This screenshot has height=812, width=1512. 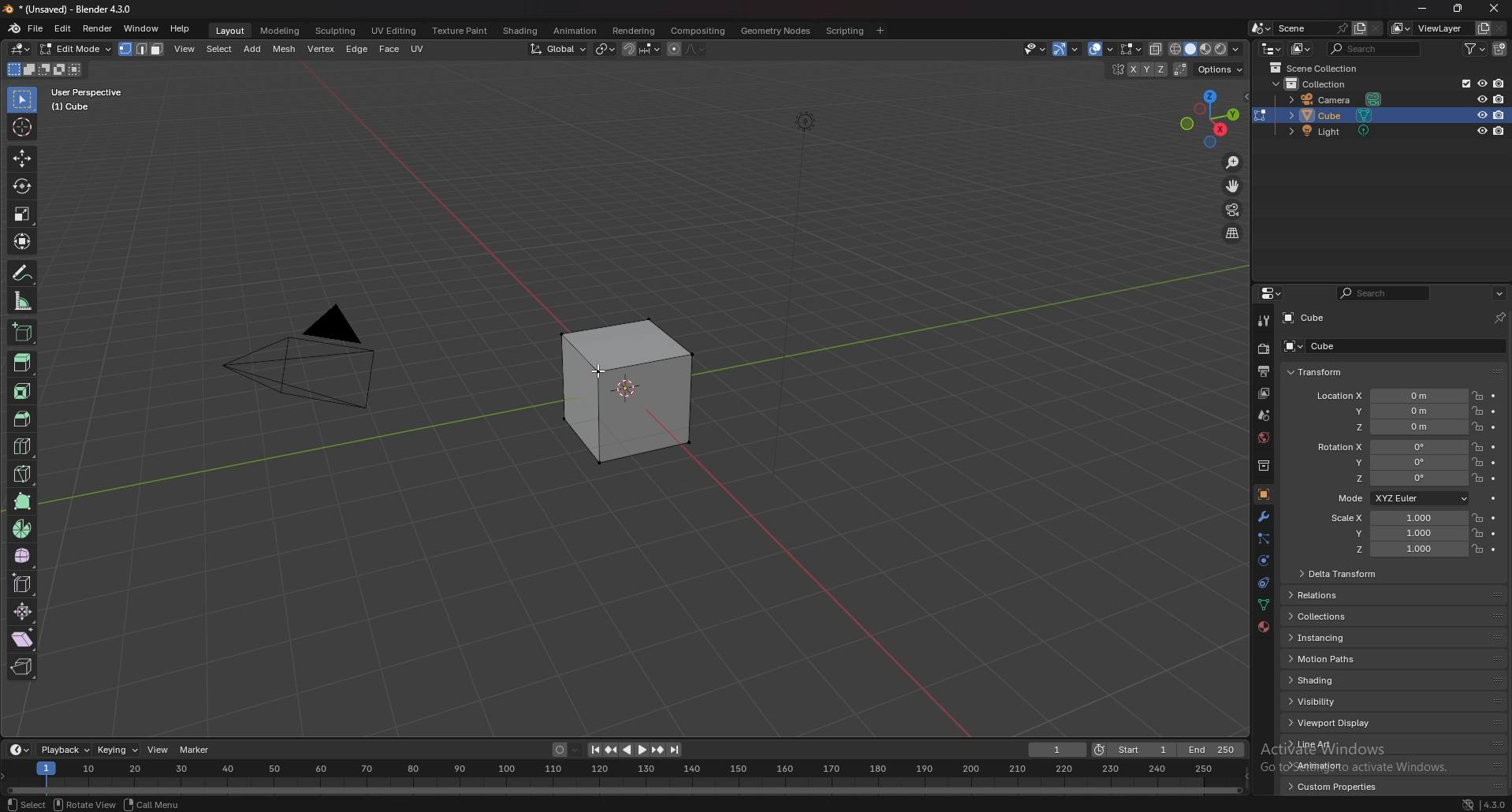 I want to click on delete scene, so click(x=1376, y=28).